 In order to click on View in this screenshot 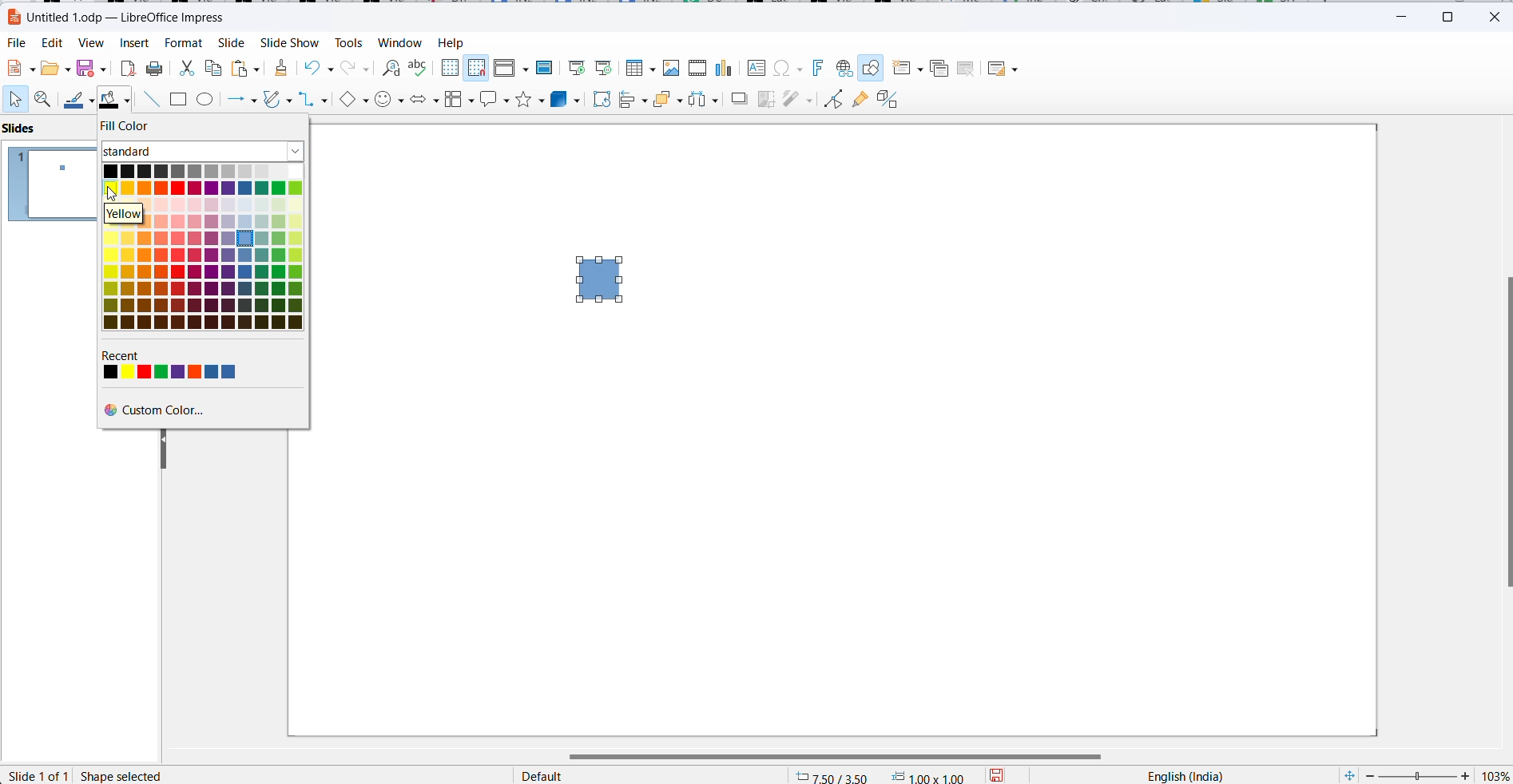, I will do `click(91, 44)`.